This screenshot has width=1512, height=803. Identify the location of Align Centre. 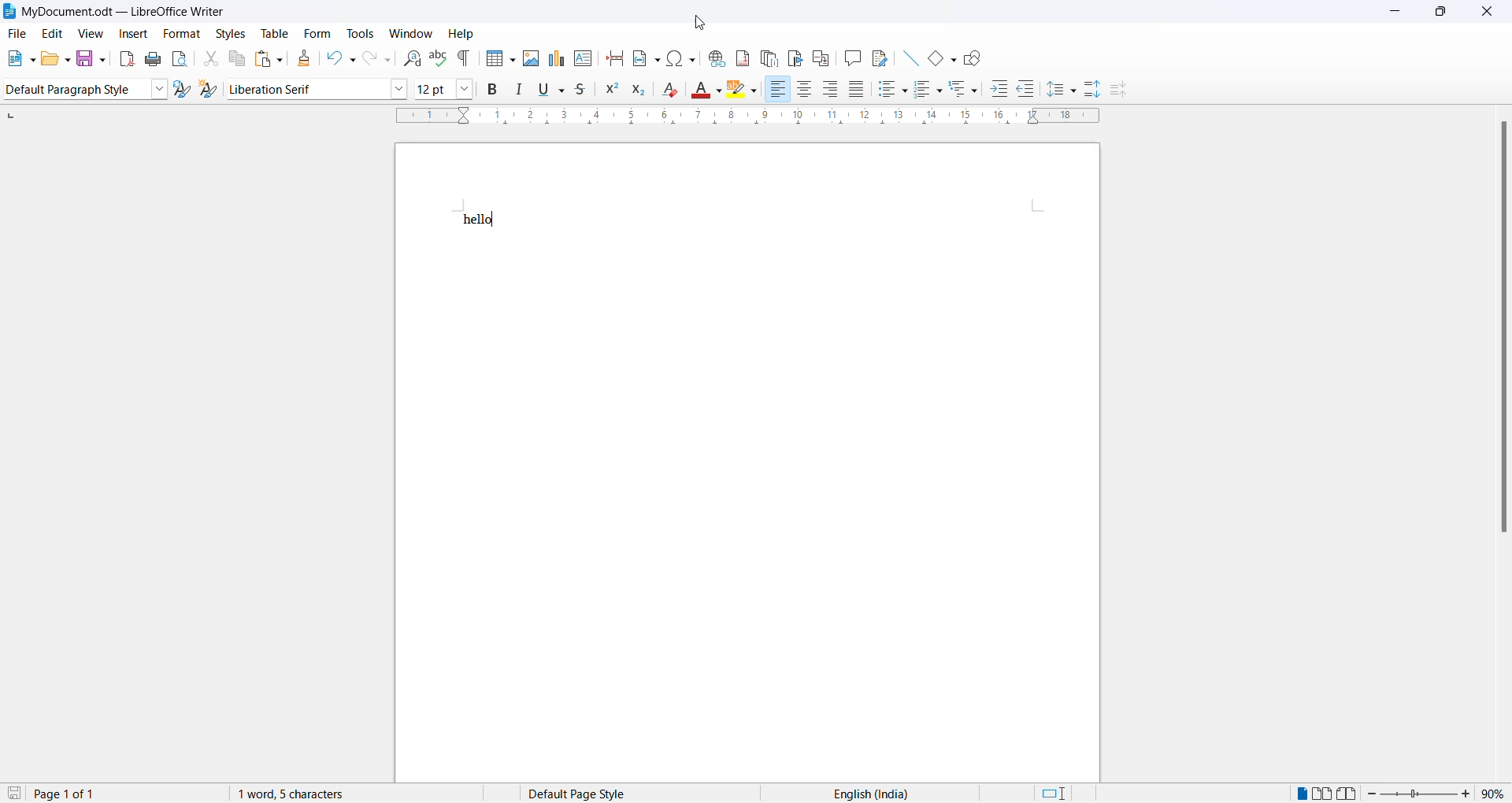
(804, 90).